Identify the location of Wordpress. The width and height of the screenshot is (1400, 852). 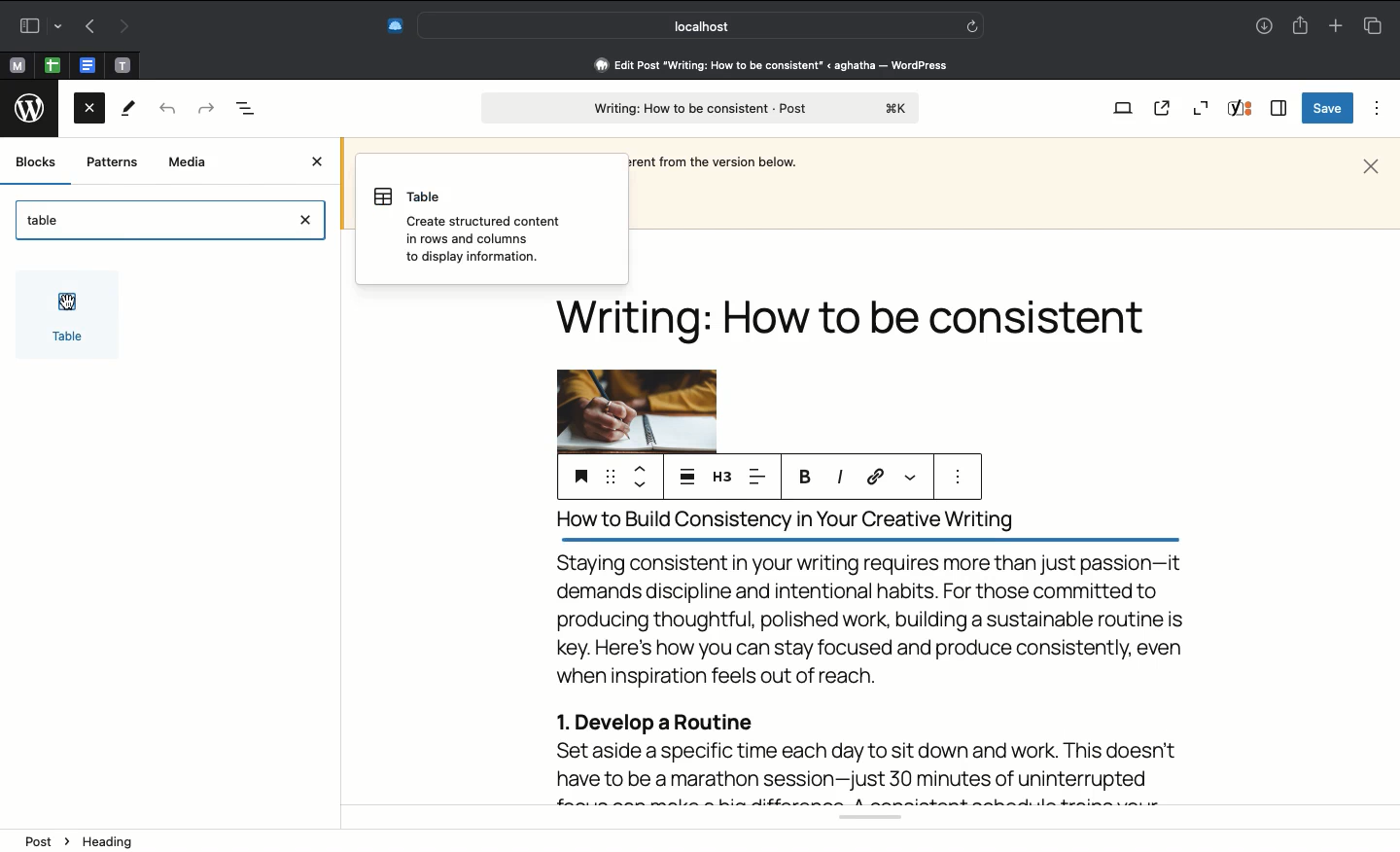
(33, 107).